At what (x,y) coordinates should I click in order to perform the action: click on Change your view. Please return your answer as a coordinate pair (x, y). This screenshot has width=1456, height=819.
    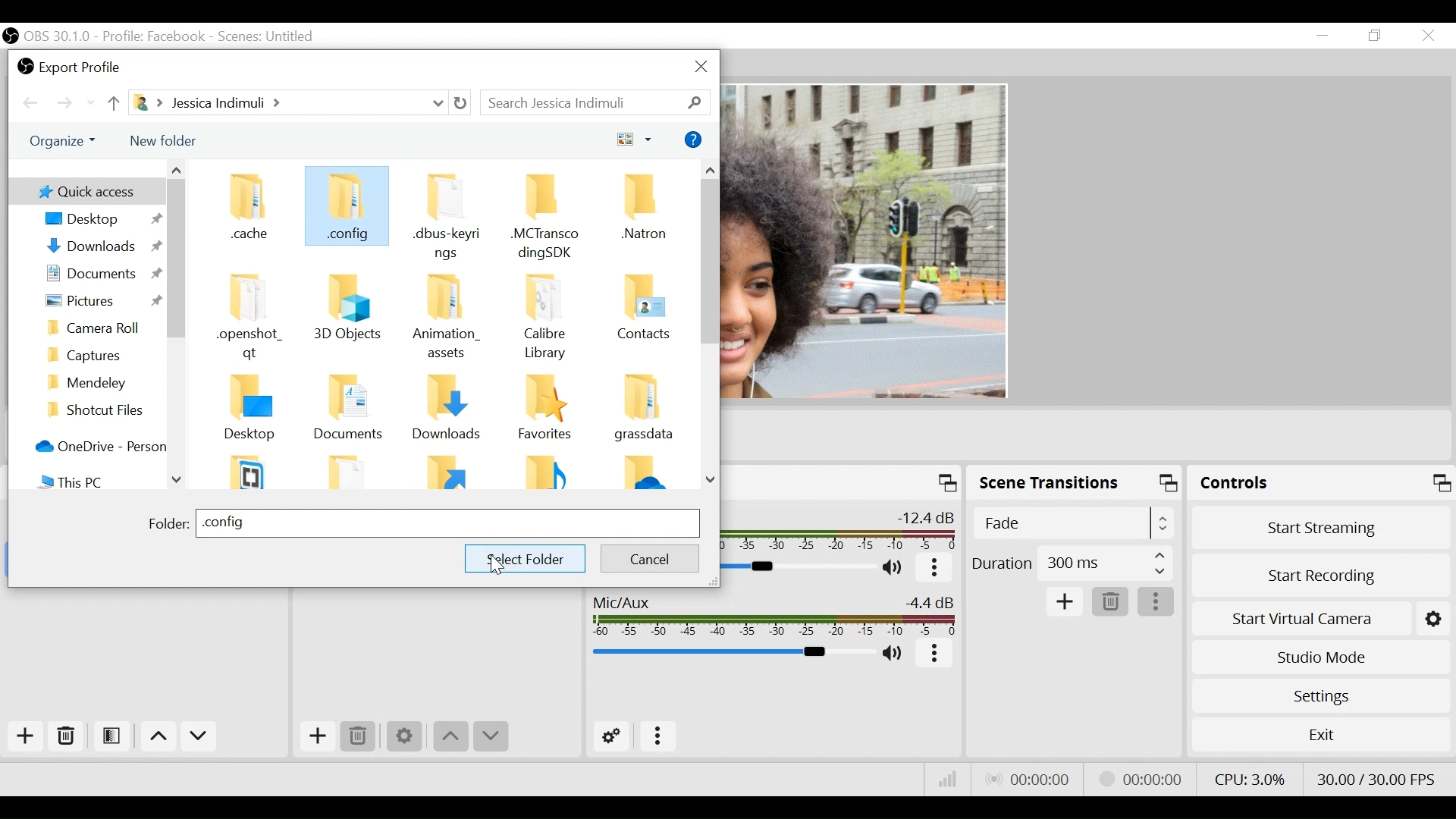
    Looking at the image, I should click on (636, 138).